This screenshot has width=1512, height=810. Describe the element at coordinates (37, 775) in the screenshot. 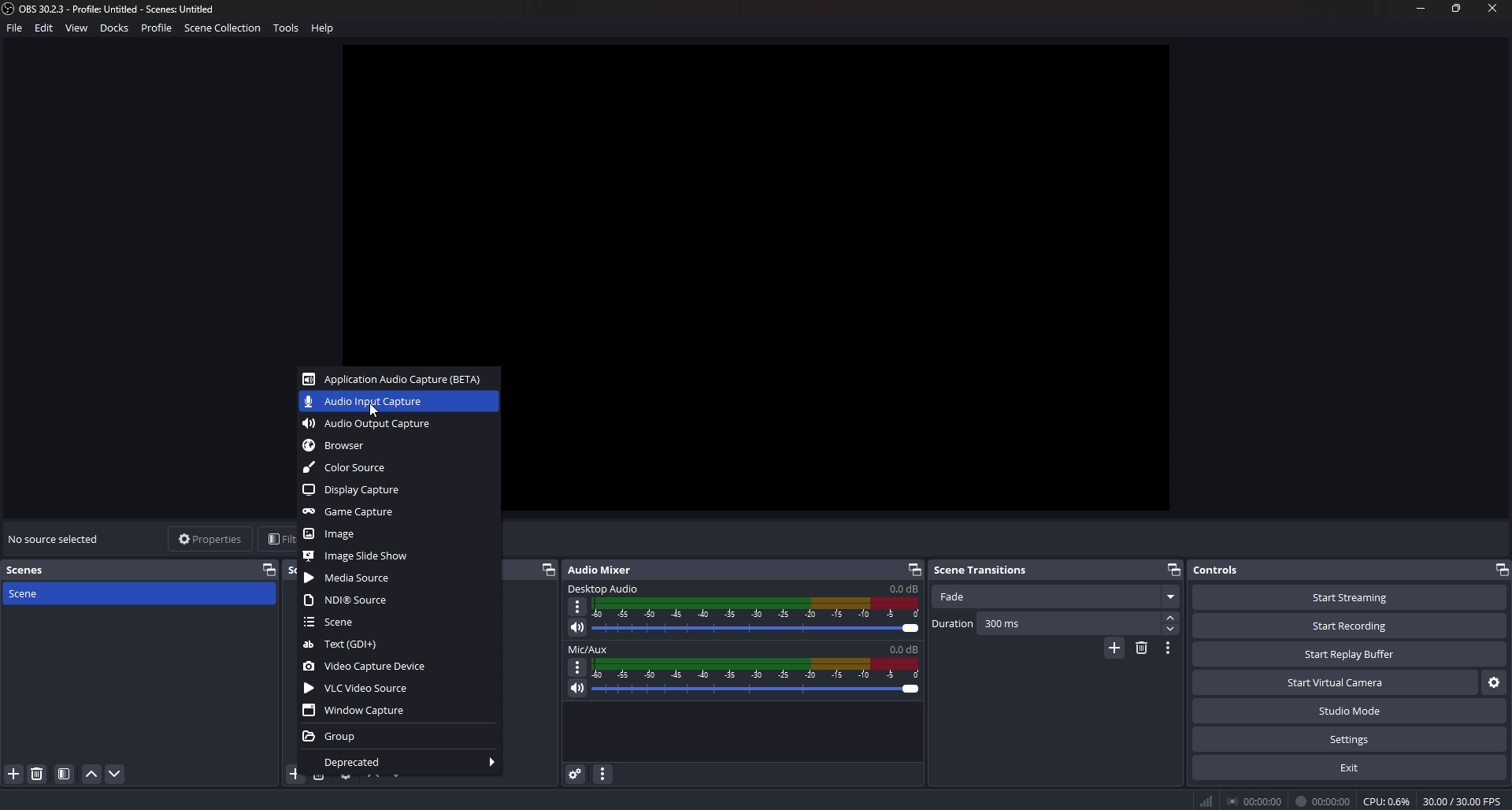

I see `delete` at that location.